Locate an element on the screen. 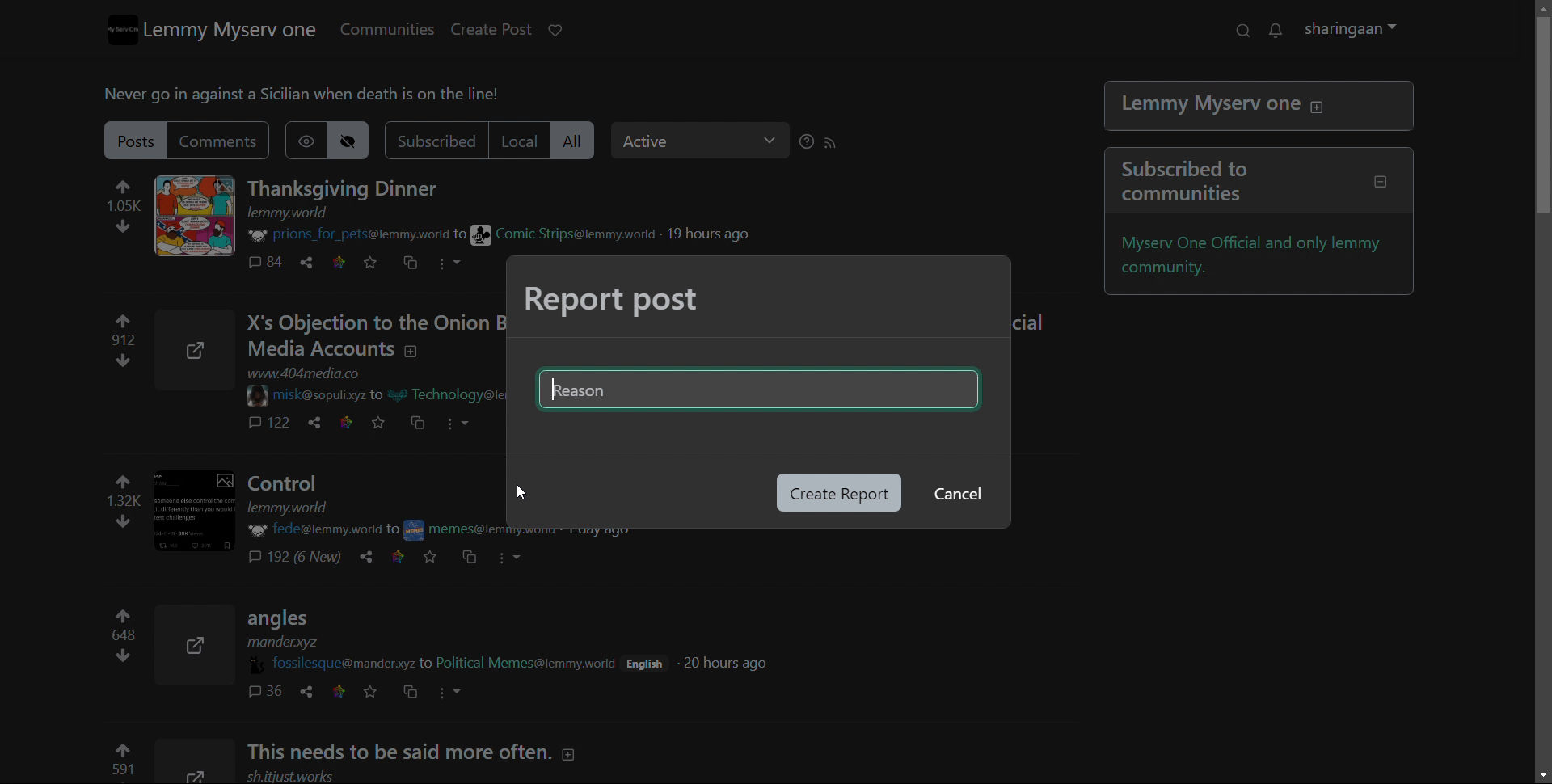 This screenshot has width=1552, height=784. English is located at coordinates (652, 661).